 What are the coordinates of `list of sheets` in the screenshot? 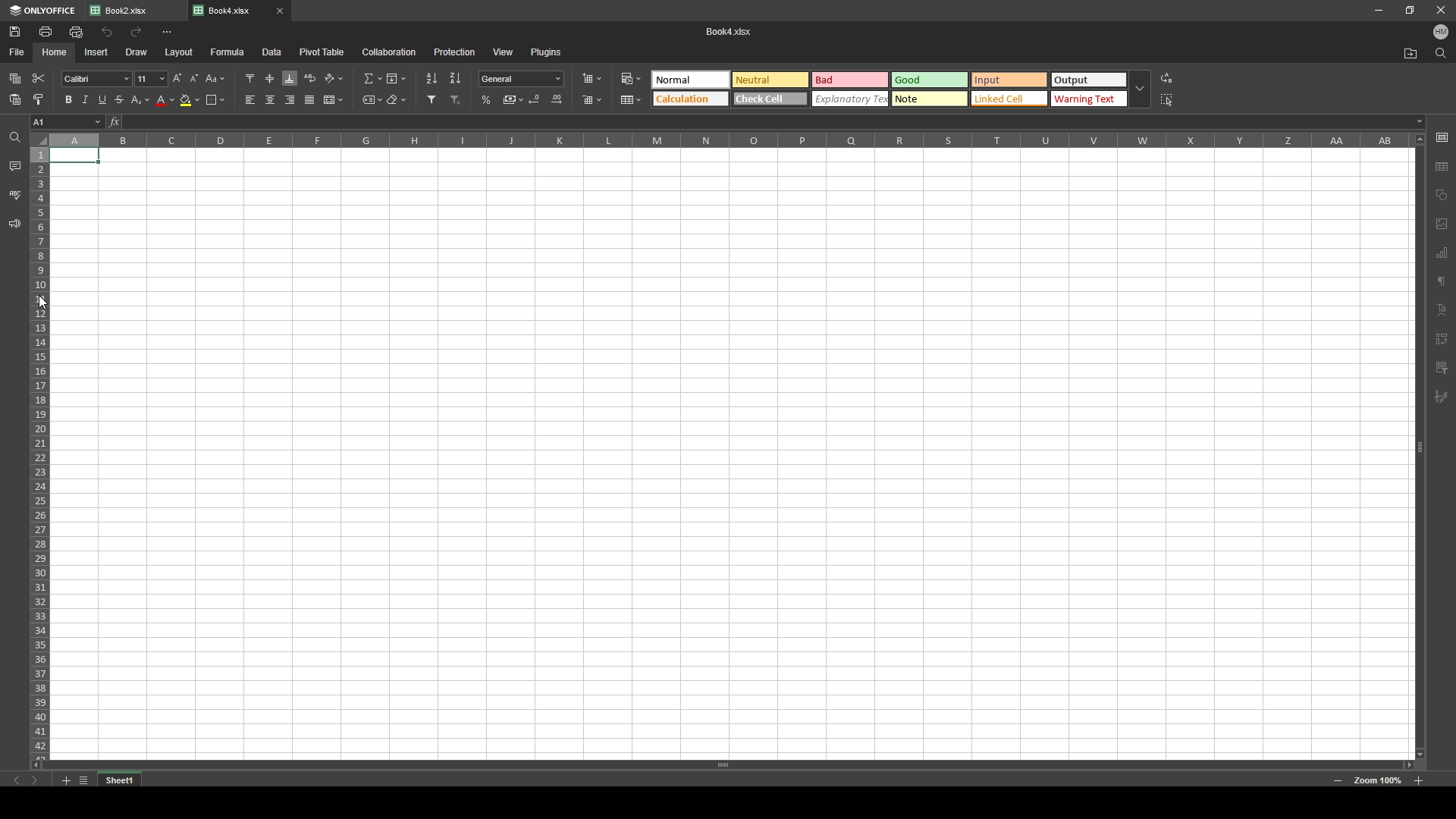 It's located at (83, 779).